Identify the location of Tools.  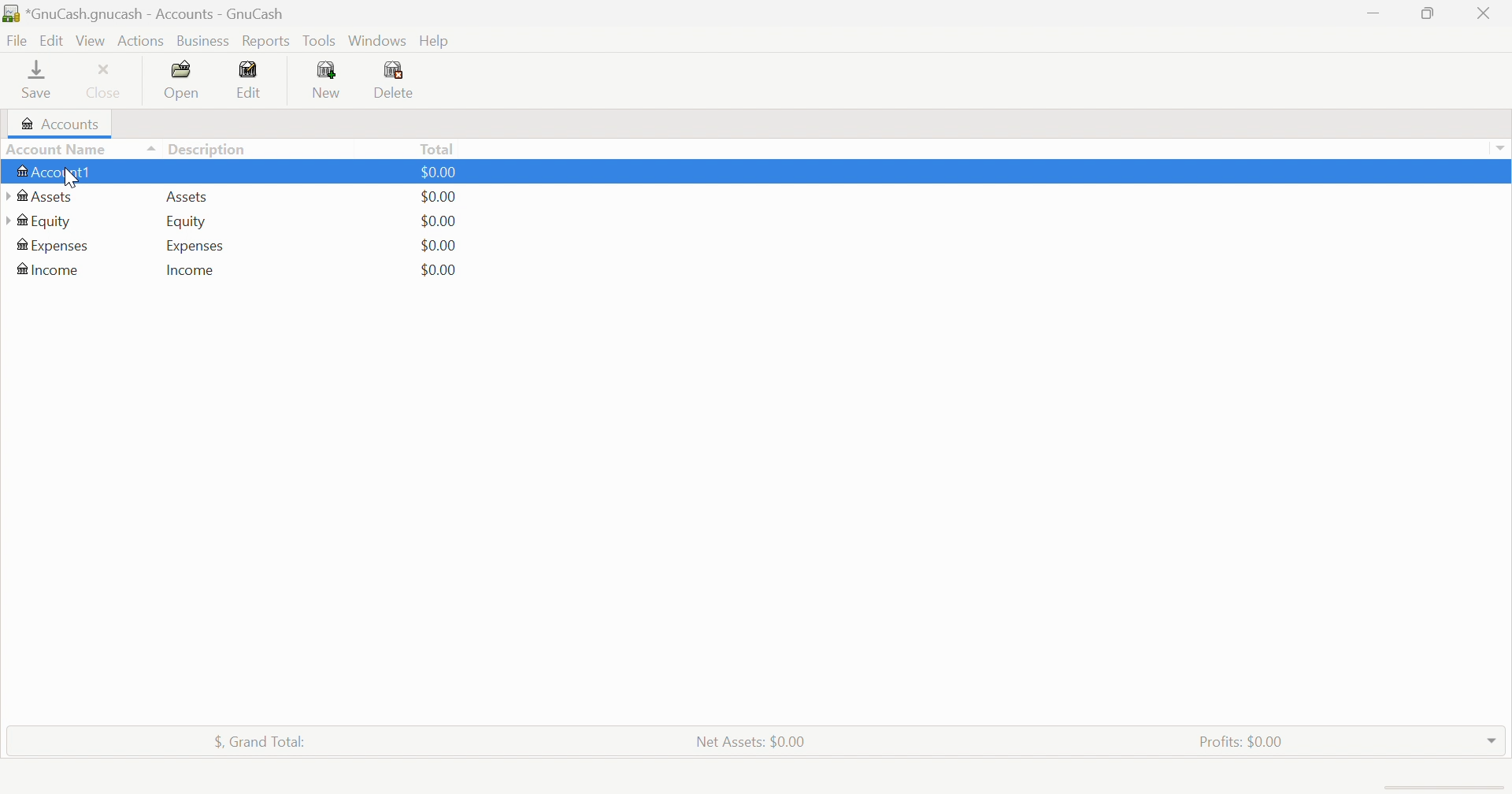
(319, 42).